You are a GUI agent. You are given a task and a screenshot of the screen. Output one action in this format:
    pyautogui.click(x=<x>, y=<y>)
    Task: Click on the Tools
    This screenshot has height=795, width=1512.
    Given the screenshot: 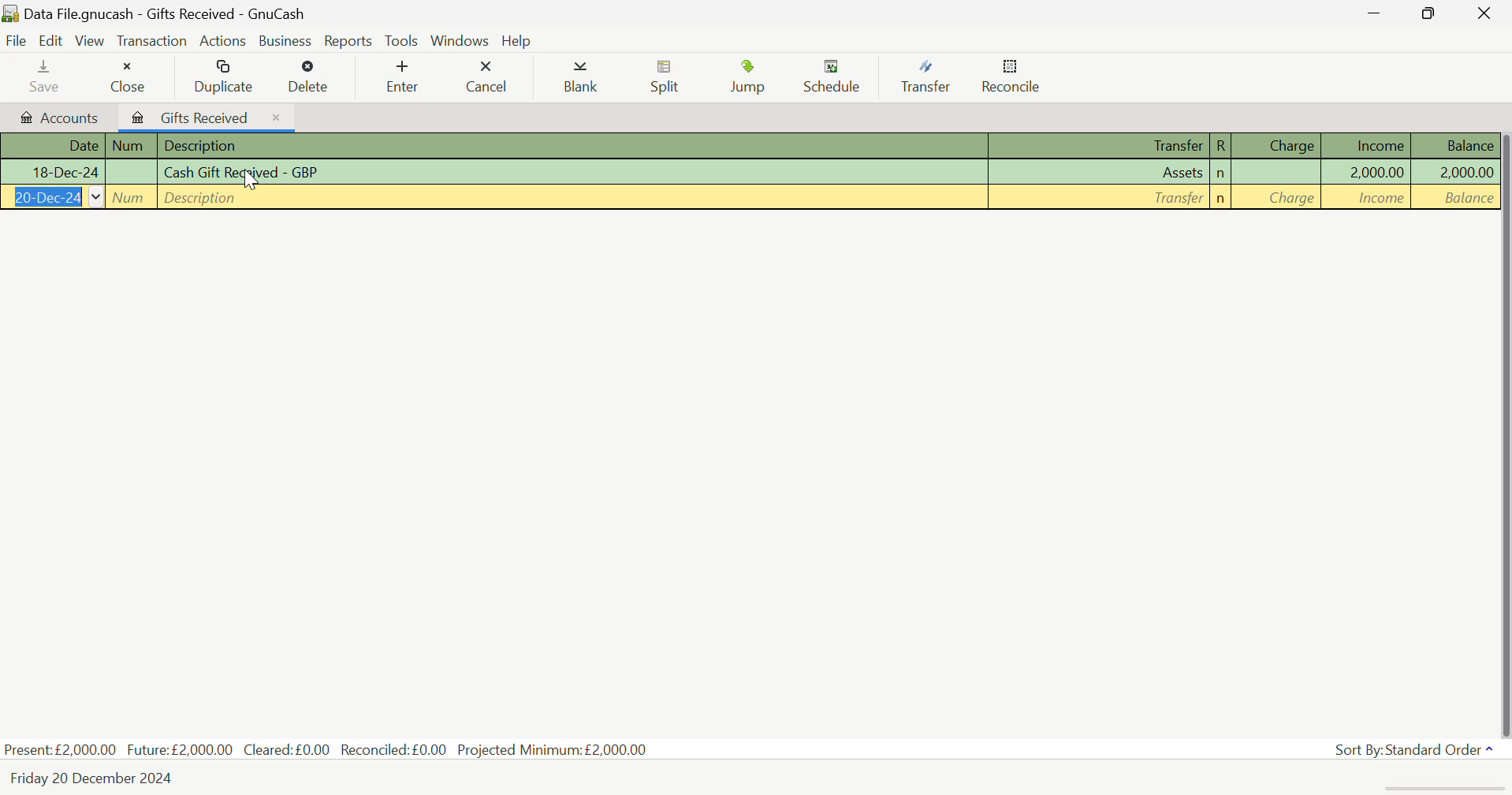 What is the action you would take?
    pyautogui.click(x=403, y=40)
    